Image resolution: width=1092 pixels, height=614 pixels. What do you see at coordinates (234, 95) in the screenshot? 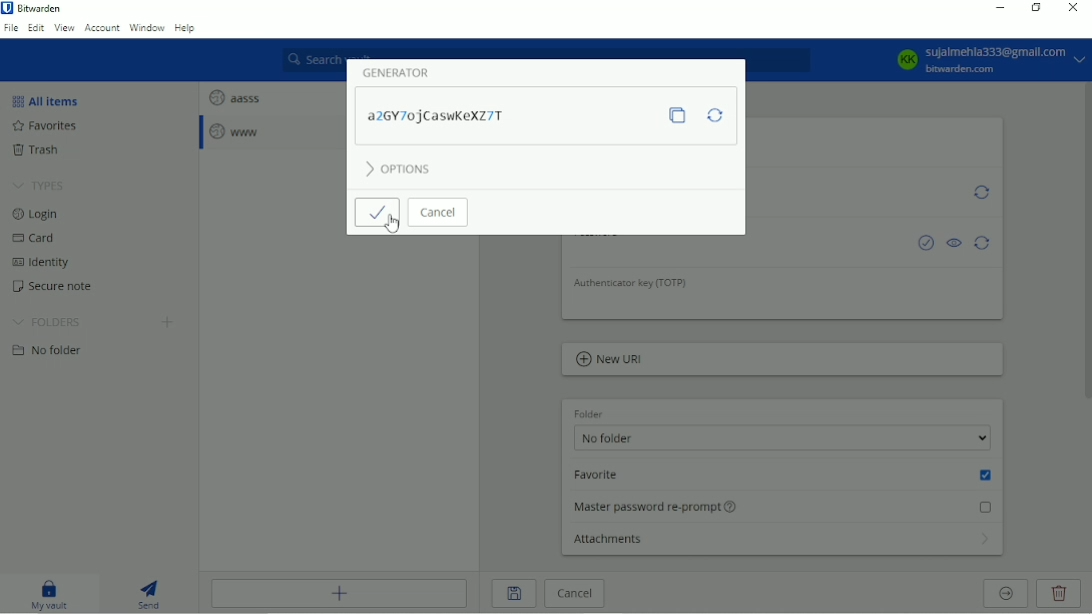
I see `aasss` at bounding box center [234, 95].